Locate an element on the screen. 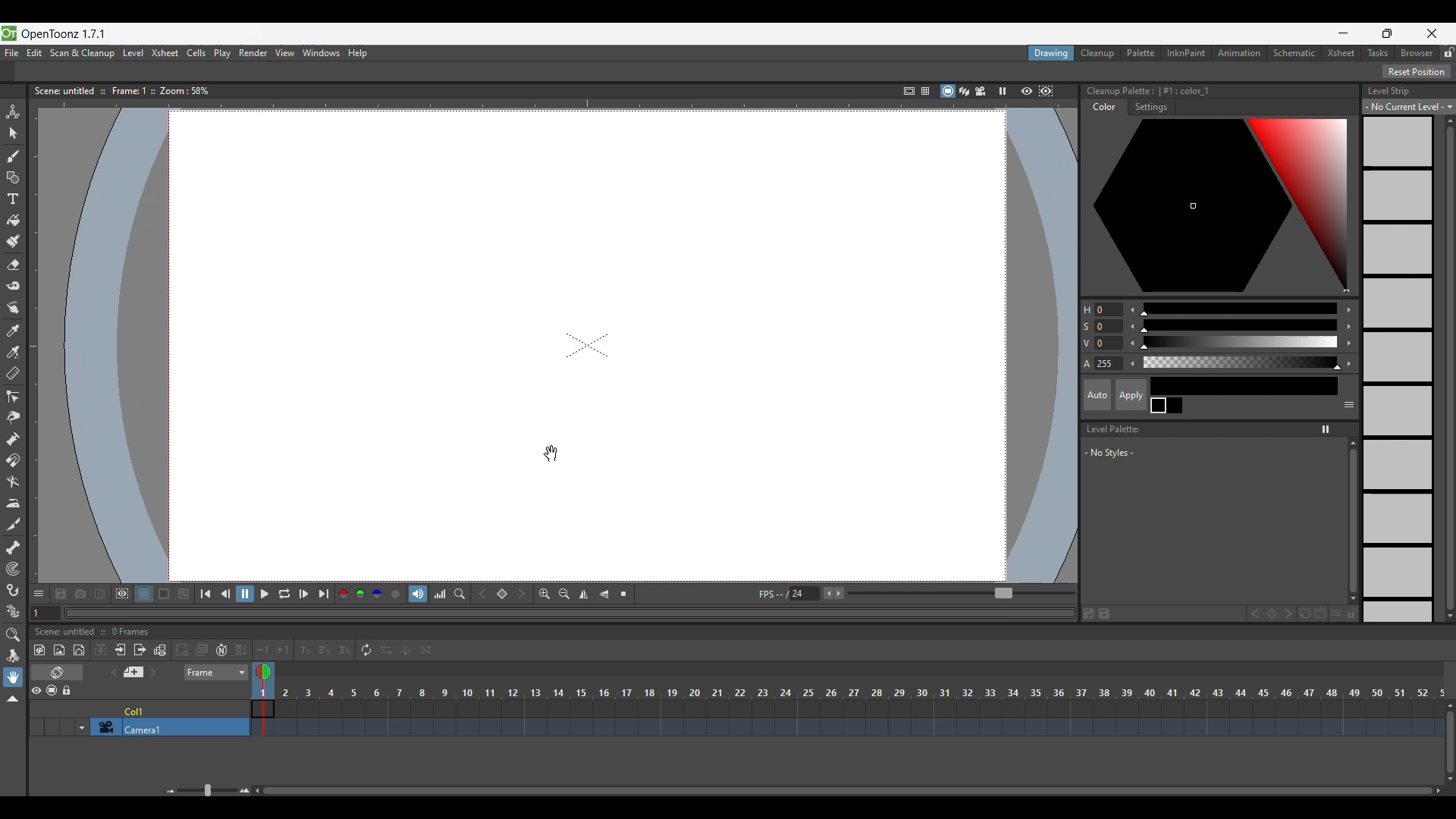 This screenshot has height=819, width=1456. Lock rooms tab is located at coordinates (1448, 53).